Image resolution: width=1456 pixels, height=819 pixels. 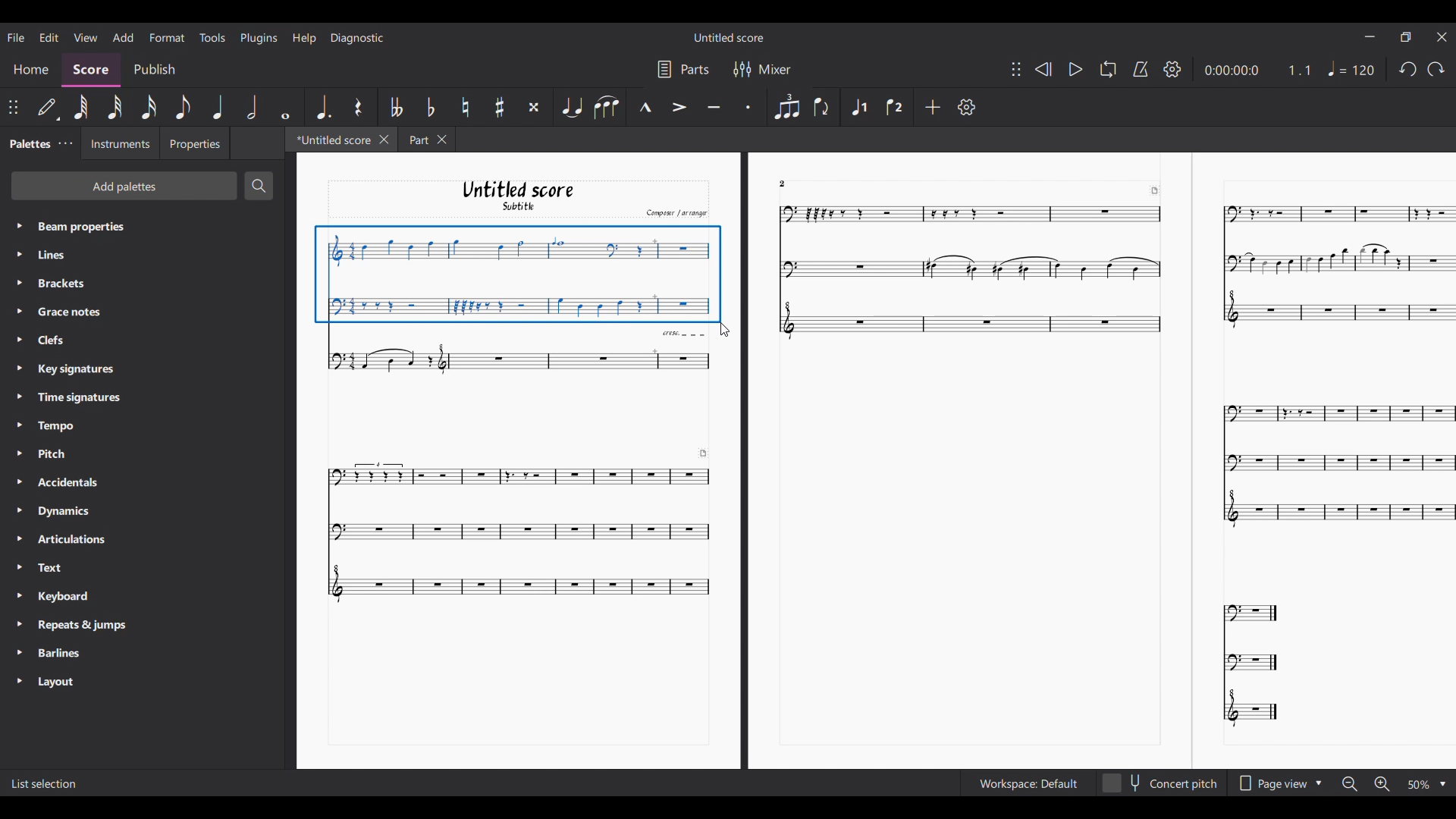 I want to click on Slur, so click(x=607, y=107).